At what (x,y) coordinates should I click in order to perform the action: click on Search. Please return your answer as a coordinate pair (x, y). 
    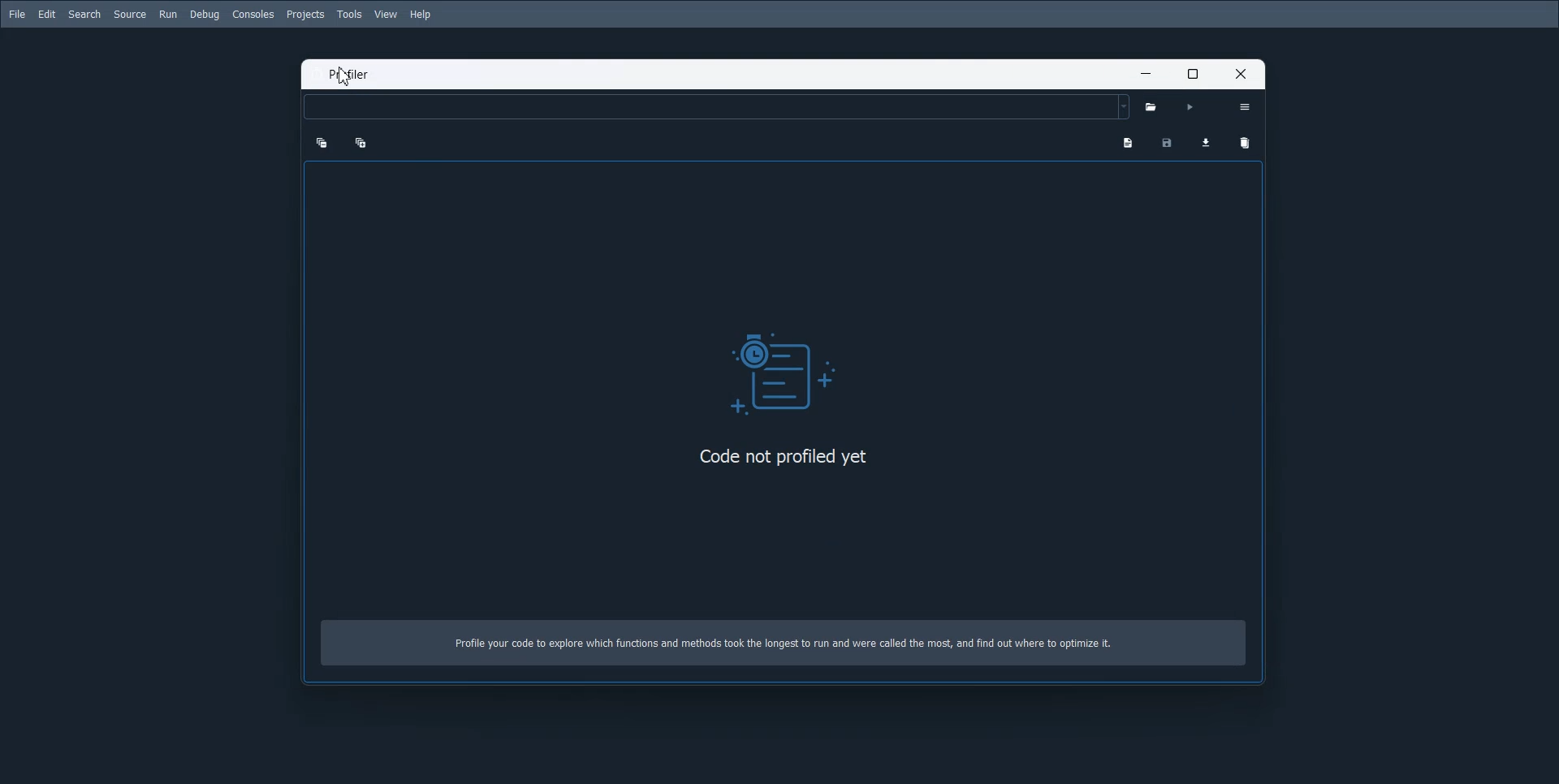
    Looking at the image, I should click on (85, 14).